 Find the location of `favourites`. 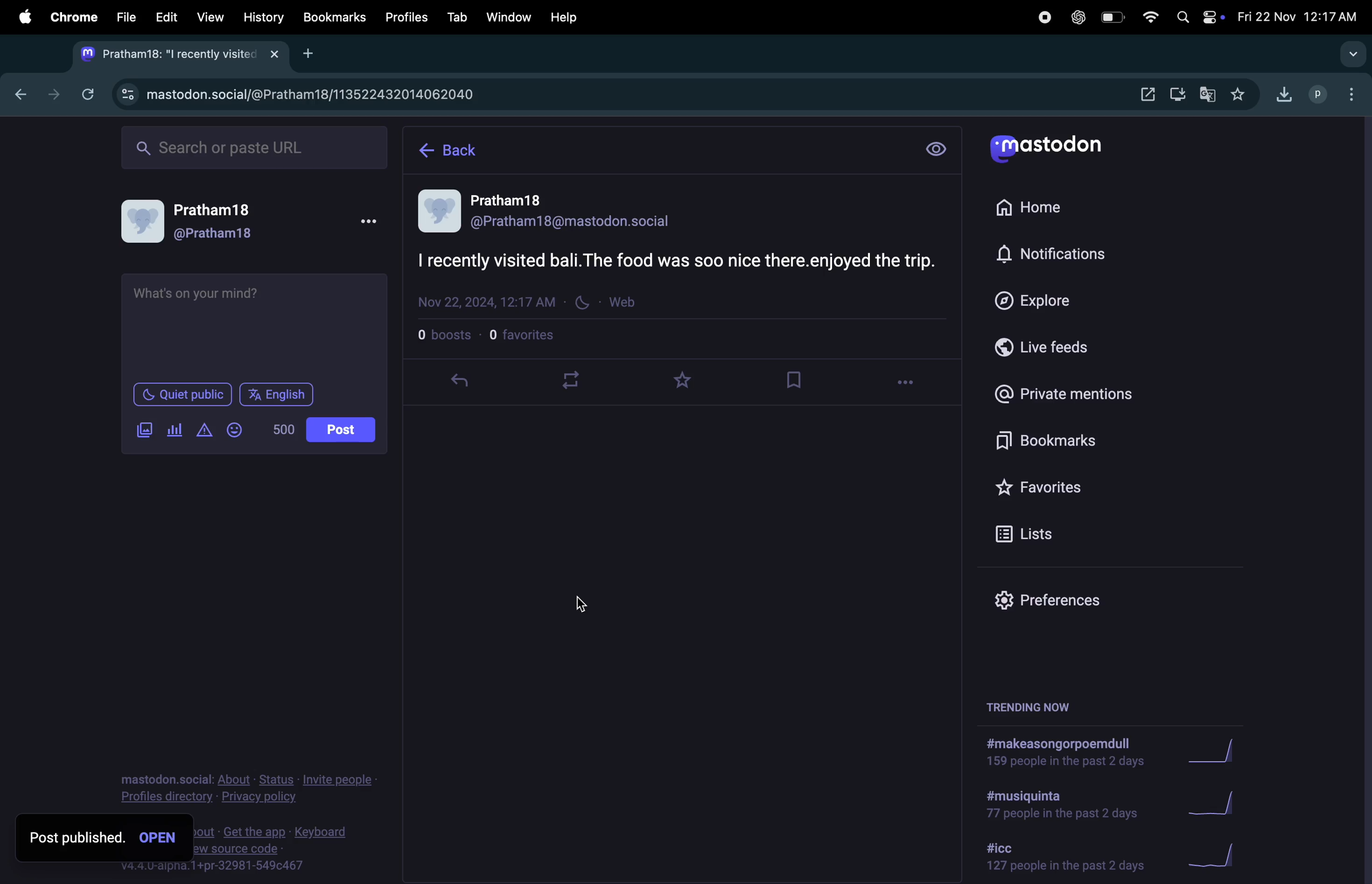

favourites is located at coordinates (691, 379).